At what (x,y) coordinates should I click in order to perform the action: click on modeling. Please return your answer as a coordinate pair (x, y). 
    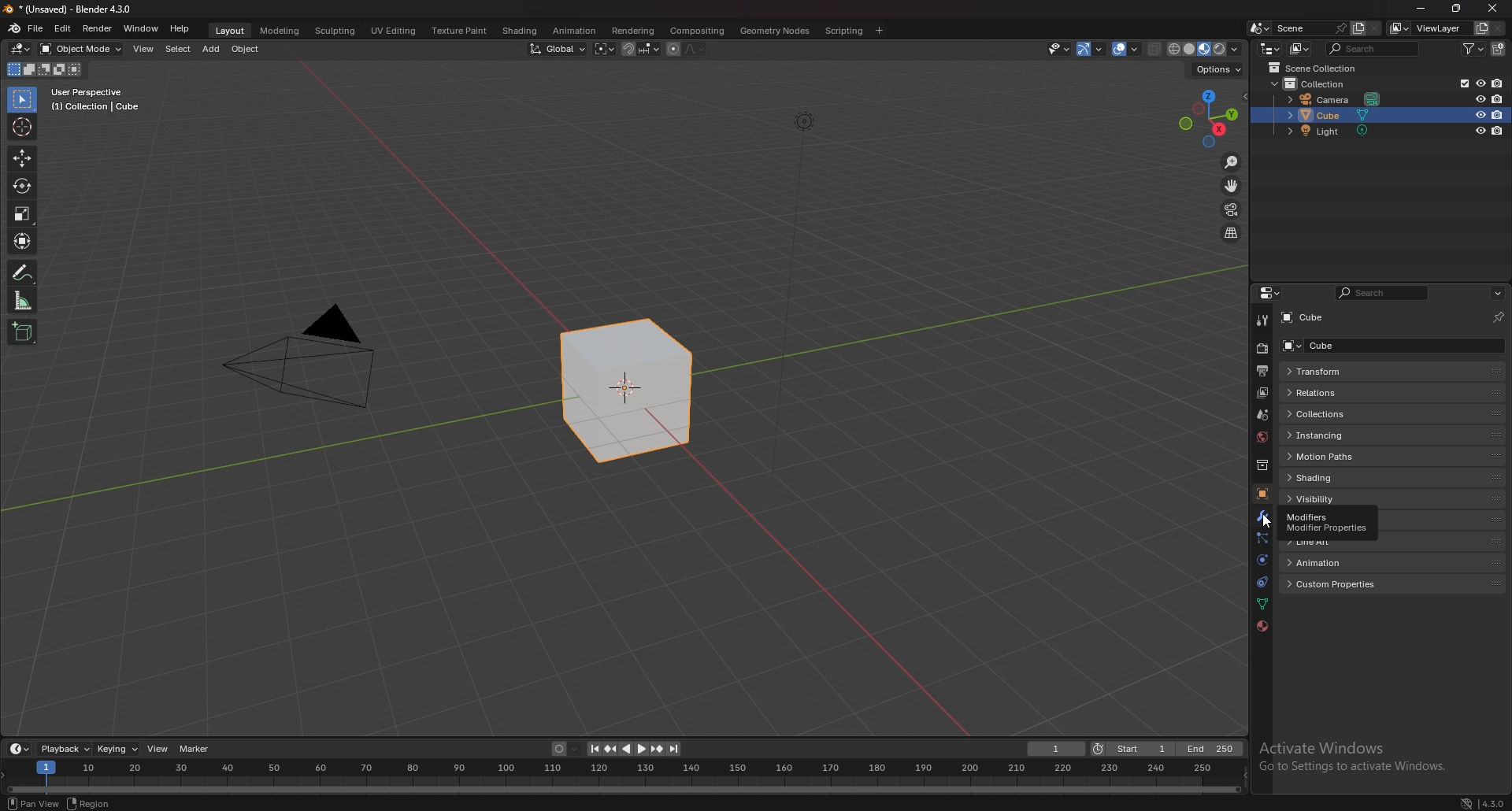
    Looking at the image, I should click on (281, 30).